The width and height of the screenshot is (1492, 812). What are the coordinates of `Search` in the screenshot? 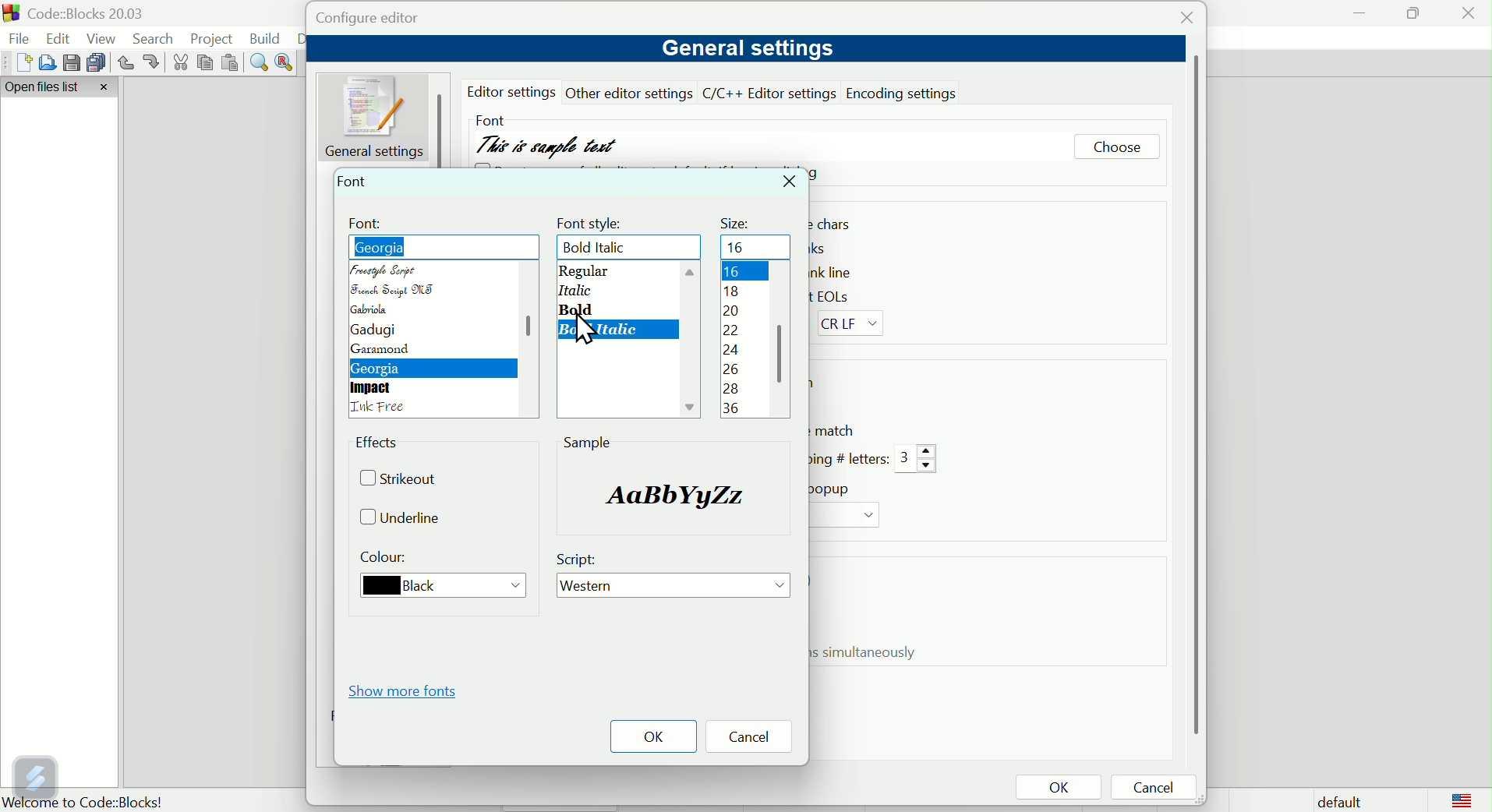 It's located at (157, 39).